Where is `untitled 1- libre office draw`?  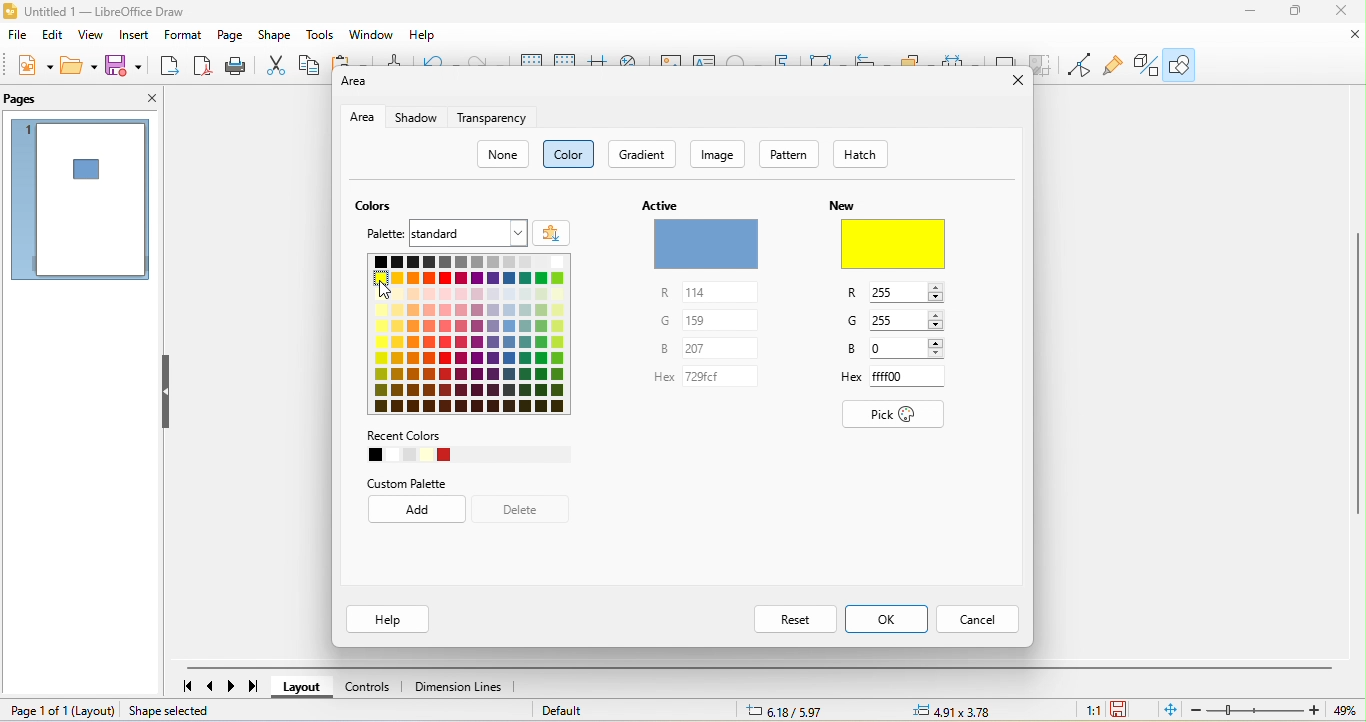
untitled 1- libre office draw is located at coordinates (102, 13).